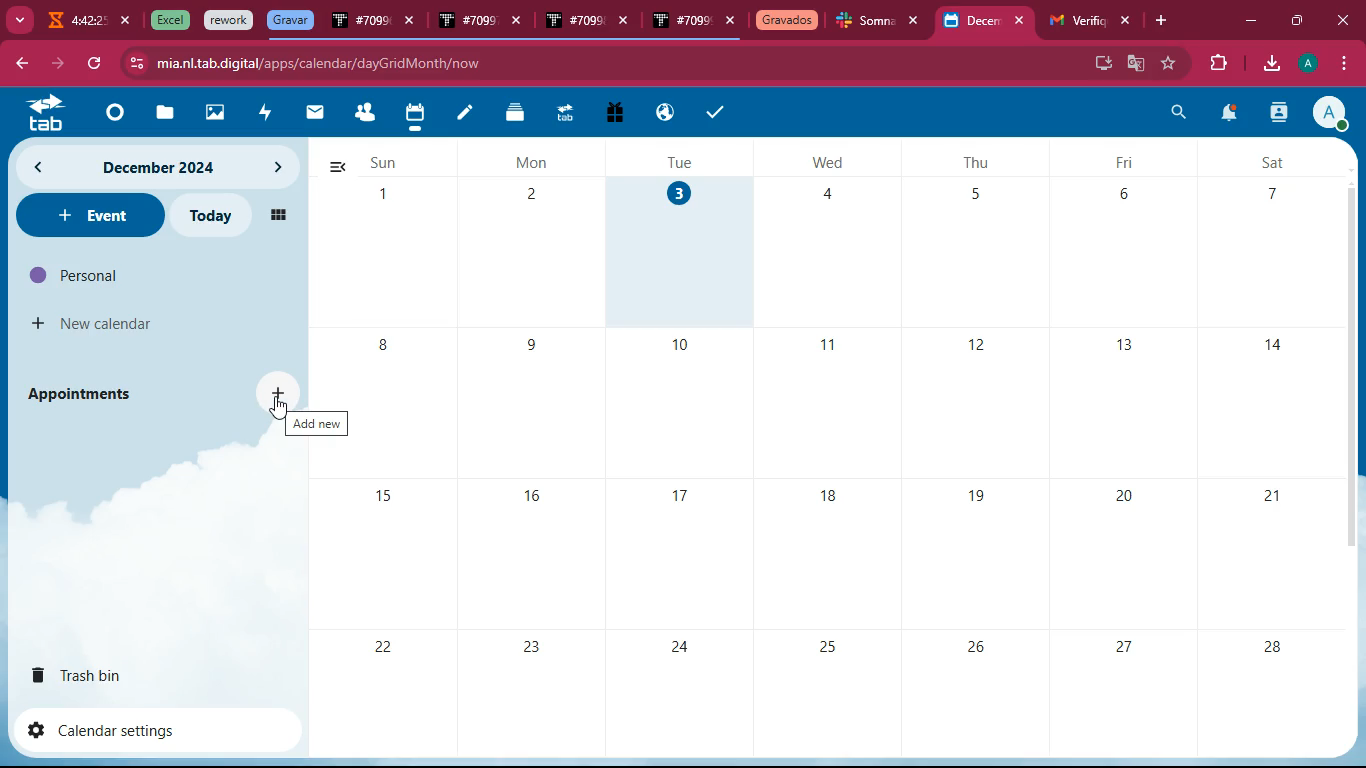  What do you see at coordinates (919, 21) in the screenshot?
I see `close` at bounding box center [919, 21].